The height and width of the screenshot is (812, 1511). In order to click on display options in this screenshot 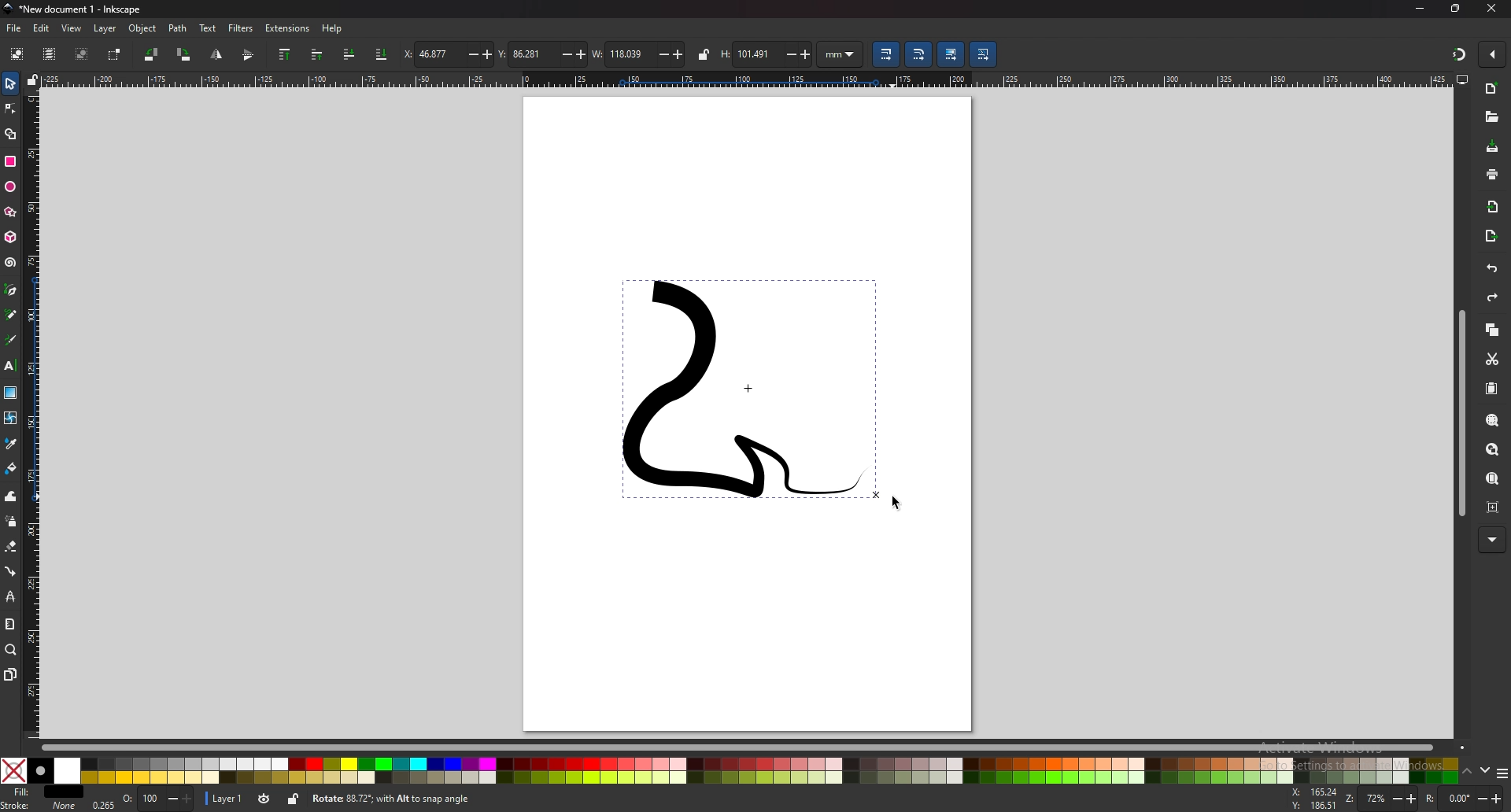, I will do `click(1462, 79)`.